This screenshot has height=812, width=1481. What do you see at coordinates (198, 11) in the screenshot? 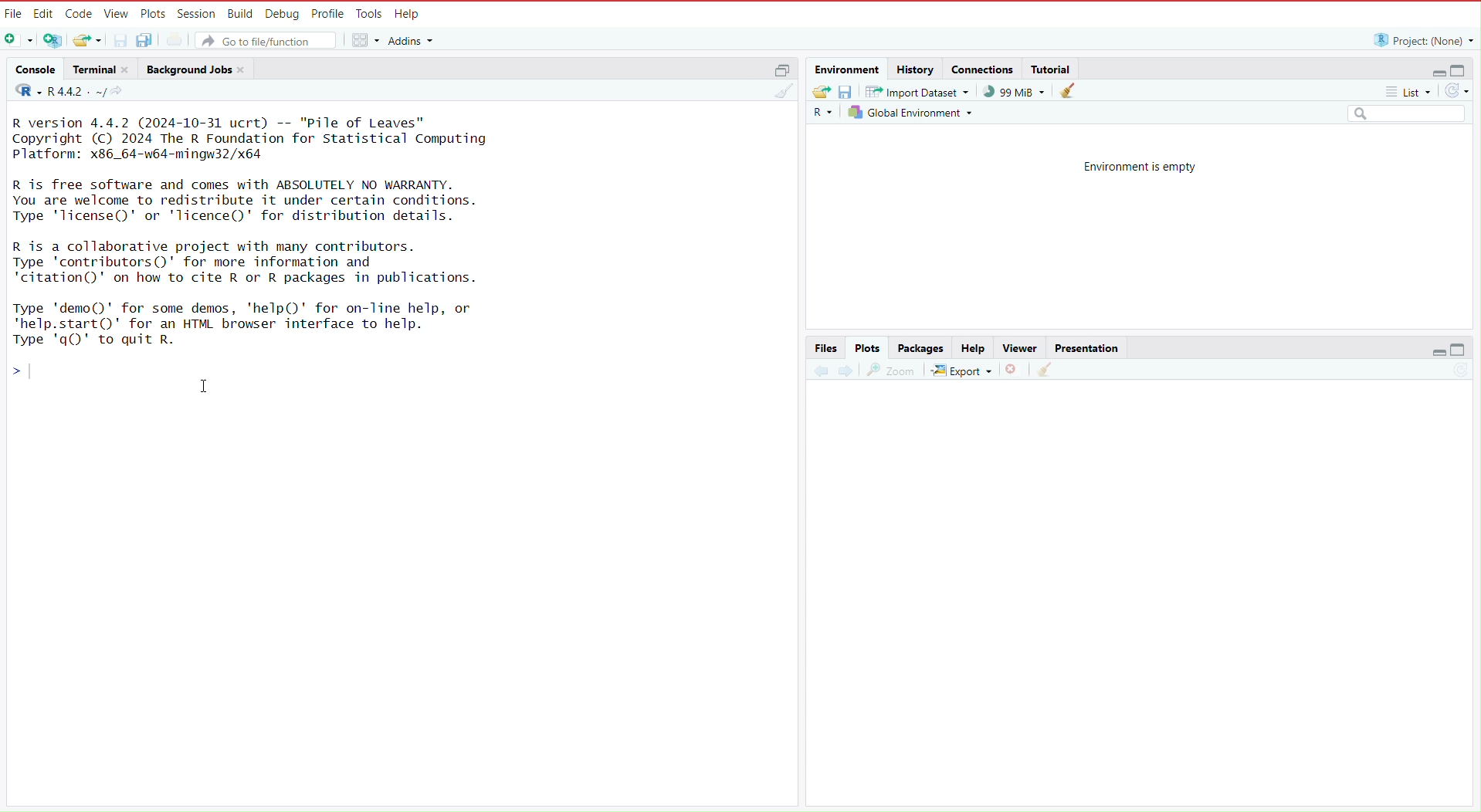
I see `session` at bounding box center [198, 11].